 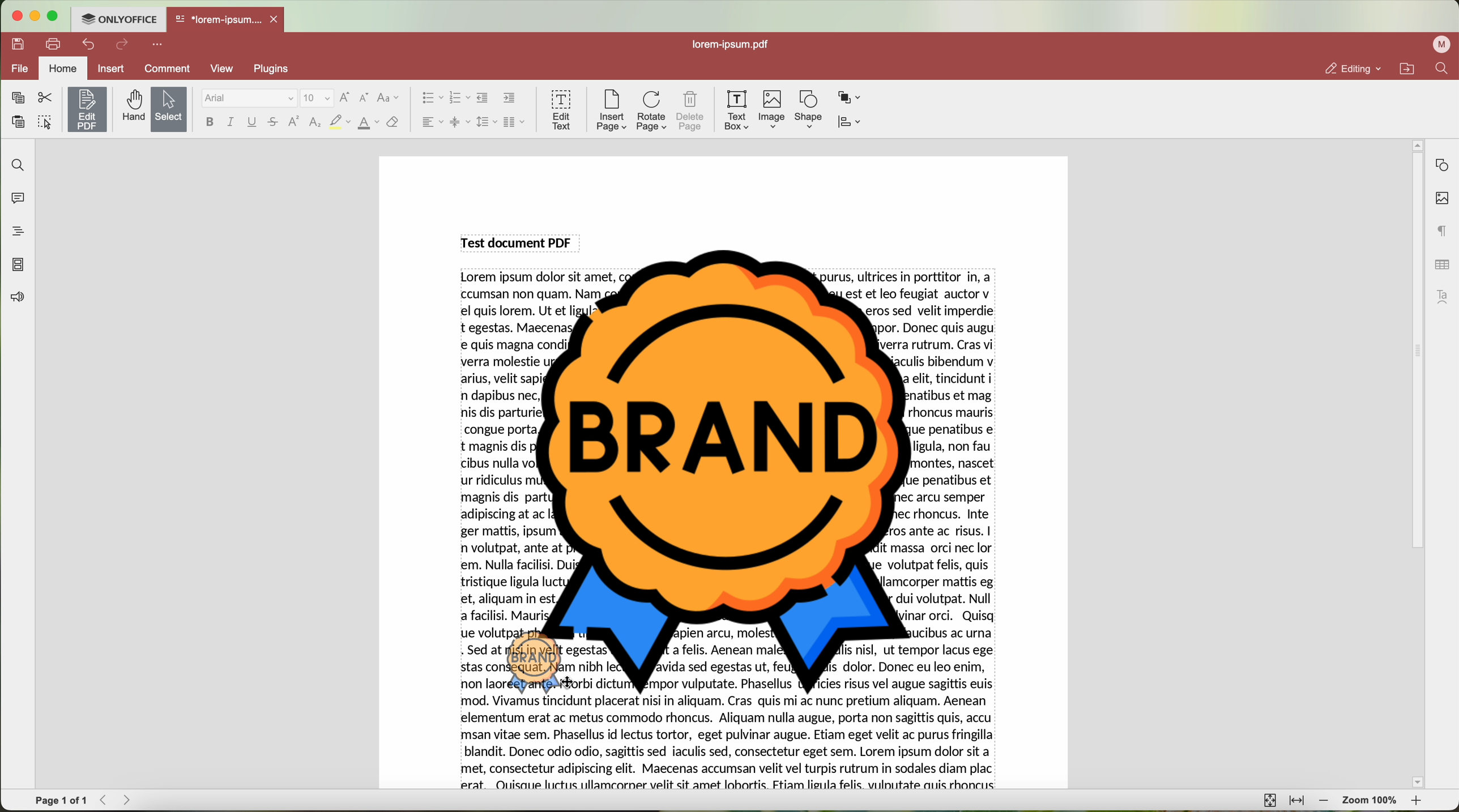 What do you see at coordinates (339, 123) in the screenshot?
I see `highlight color` at bounding box center [339, 123].